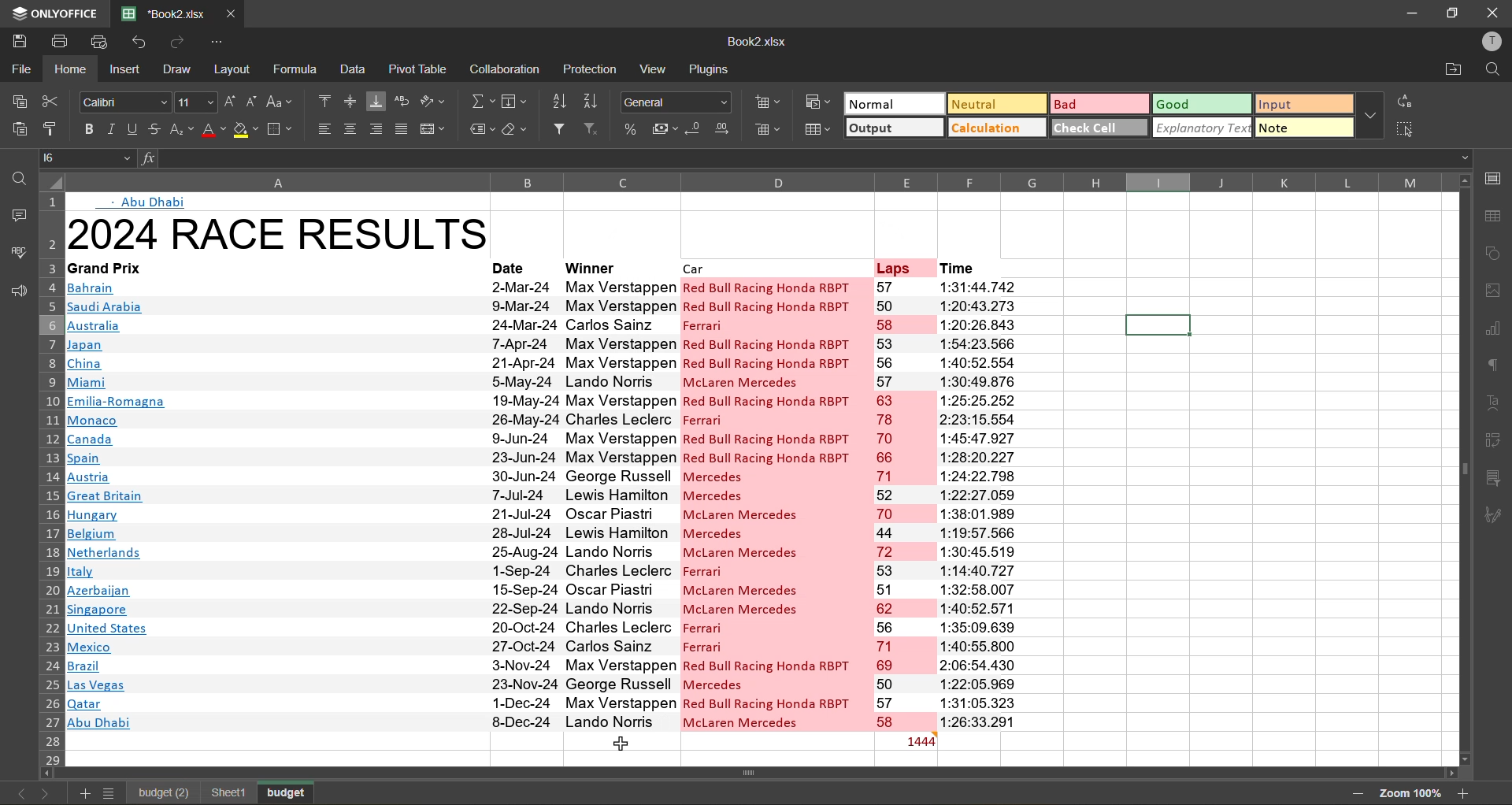 Image resolution: width=1512 pixels, height=805 pixels. What do you see at coordinates (14, 215) in the screenshot?
I see `comments` at bounding box center [14, 215].